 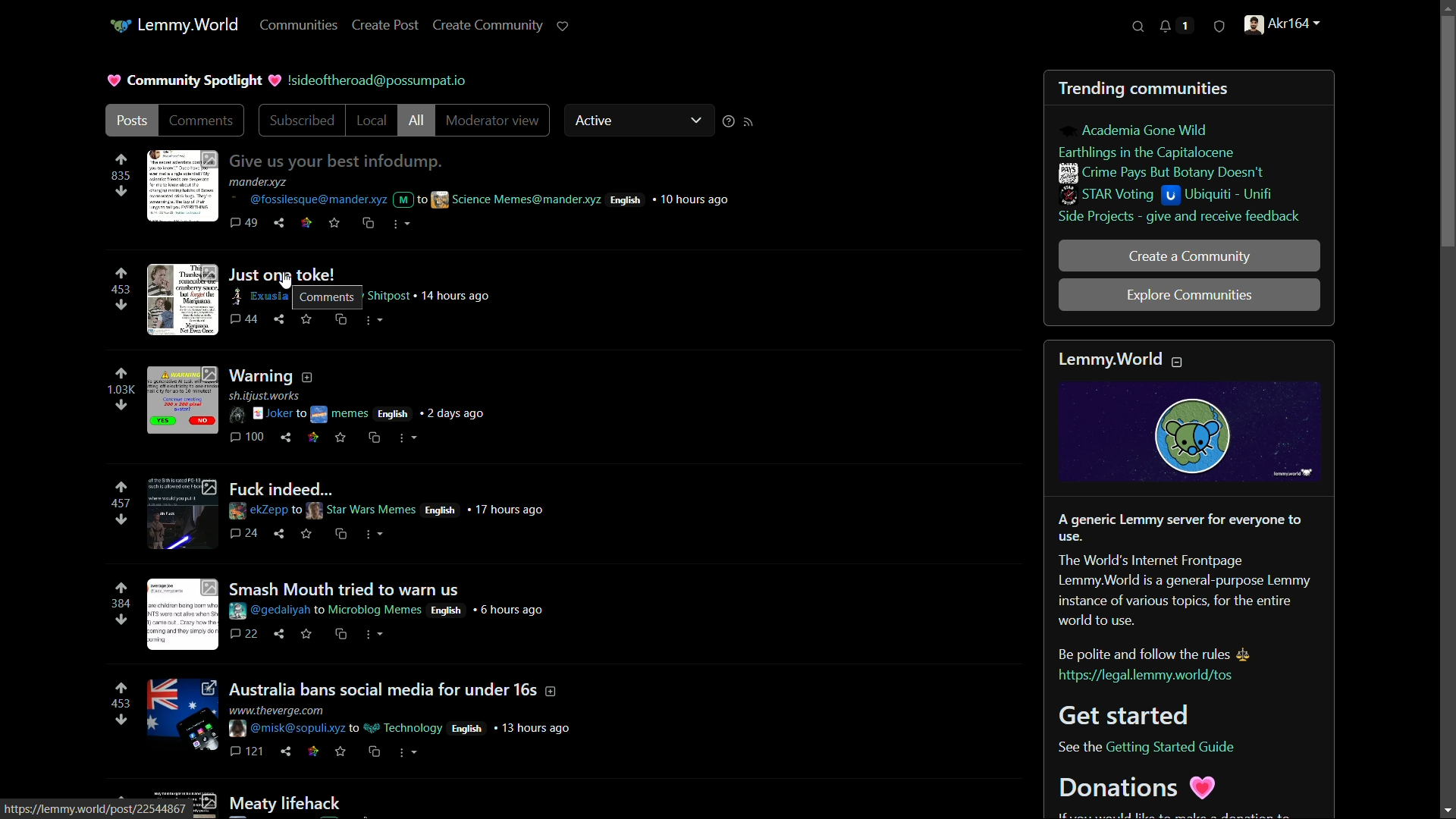 What do you see at coordinates (122, 273) in the screenshot?
I see `upvote` at bounding box center [122, 273].